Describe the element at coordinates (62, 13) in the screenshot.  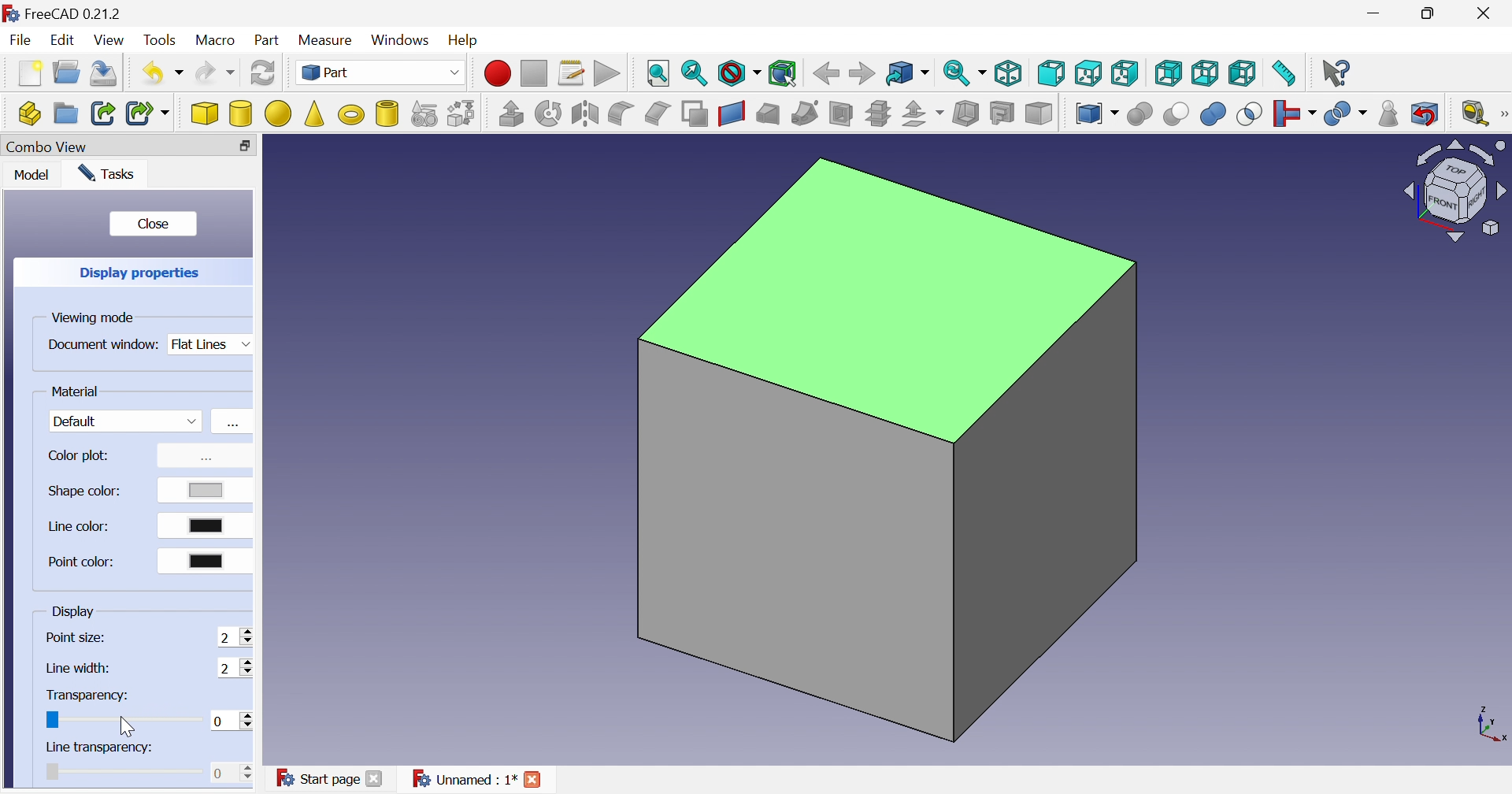
I see `FreeCAD 0.21.2` at that location.